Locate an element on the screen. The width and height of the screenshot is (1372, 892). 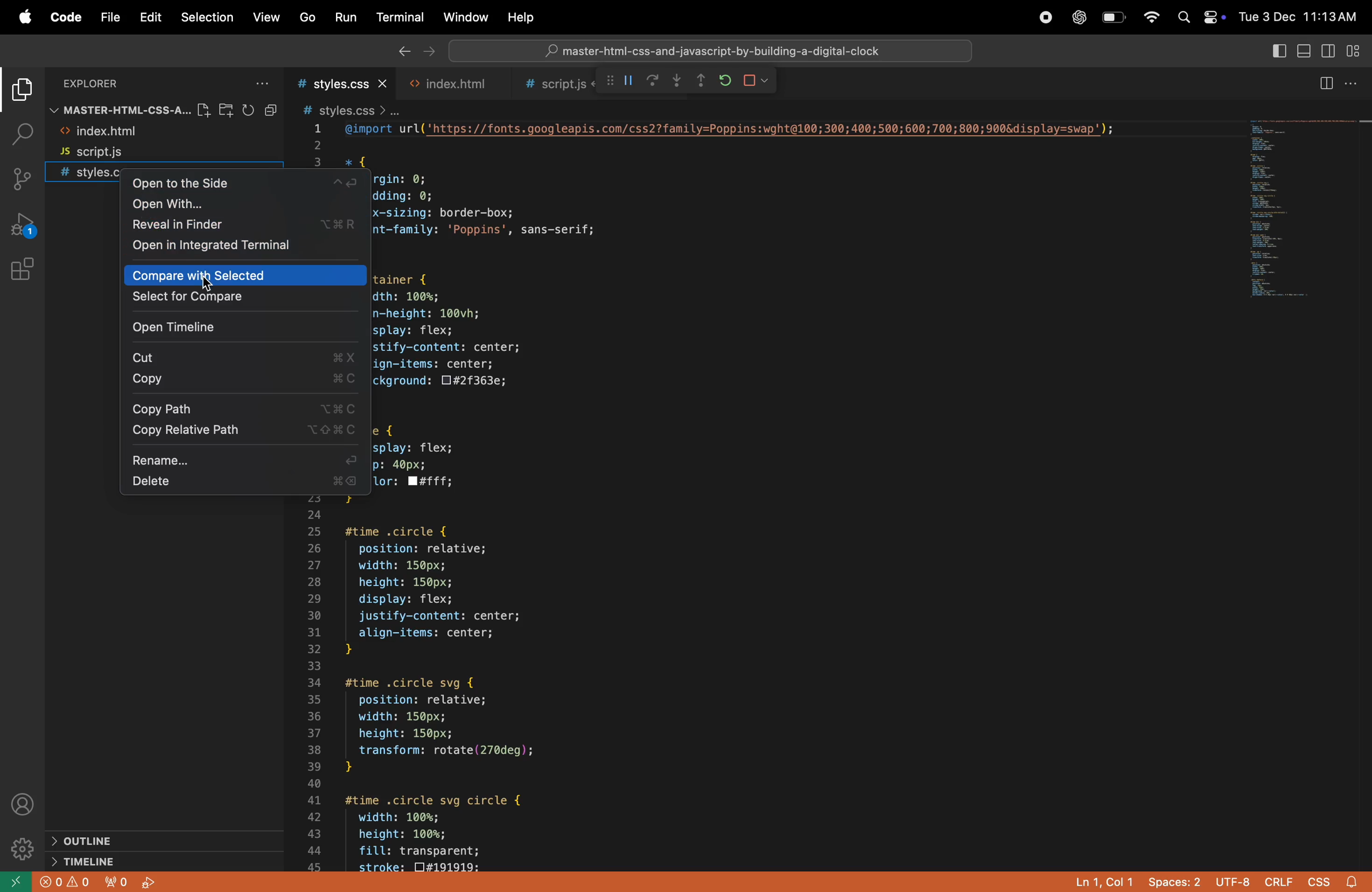
record is located at coordinates (1044, 17).